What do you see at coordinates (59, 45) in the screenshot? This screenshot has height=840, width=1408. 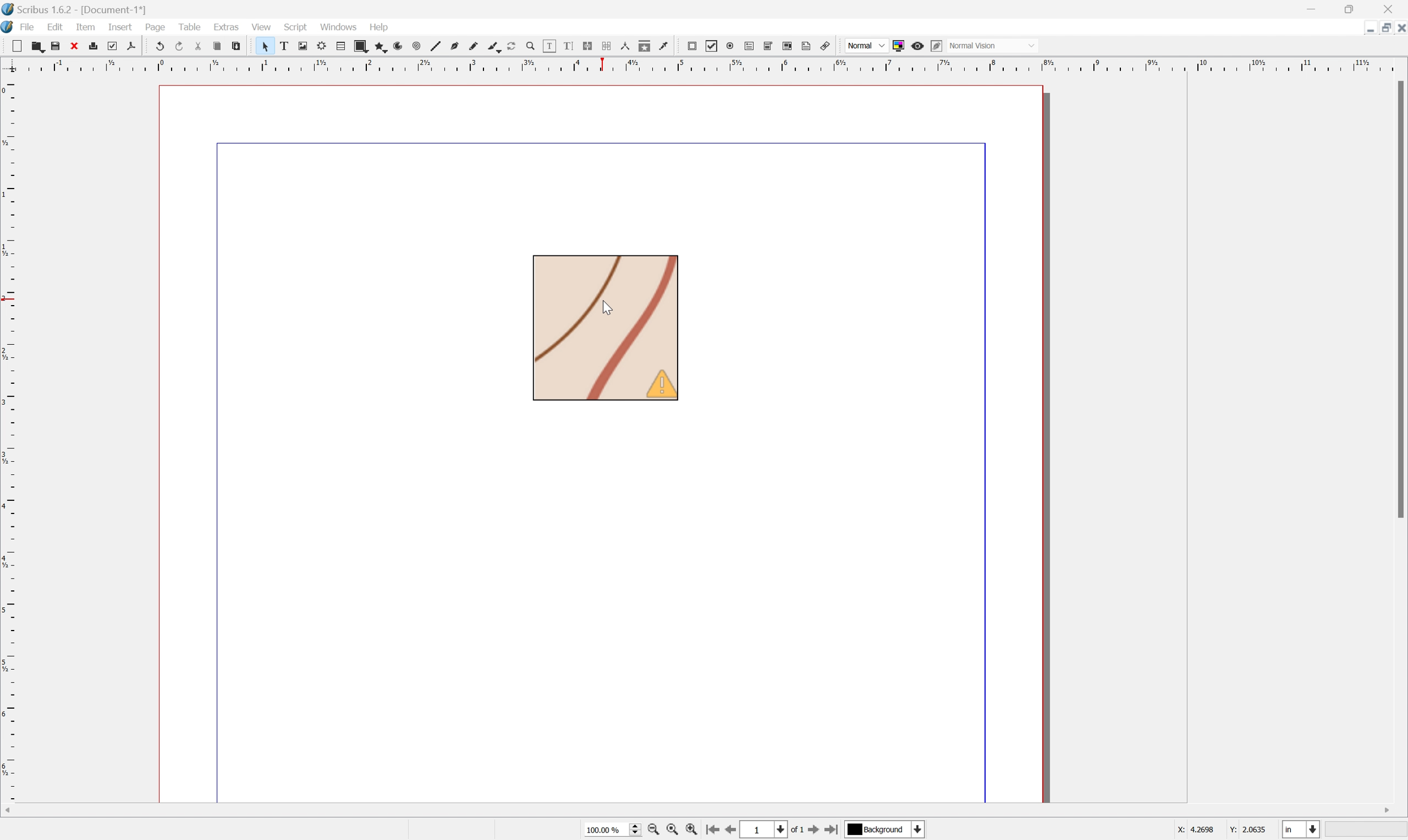 I see `Save` at bounding box center [59, 45].